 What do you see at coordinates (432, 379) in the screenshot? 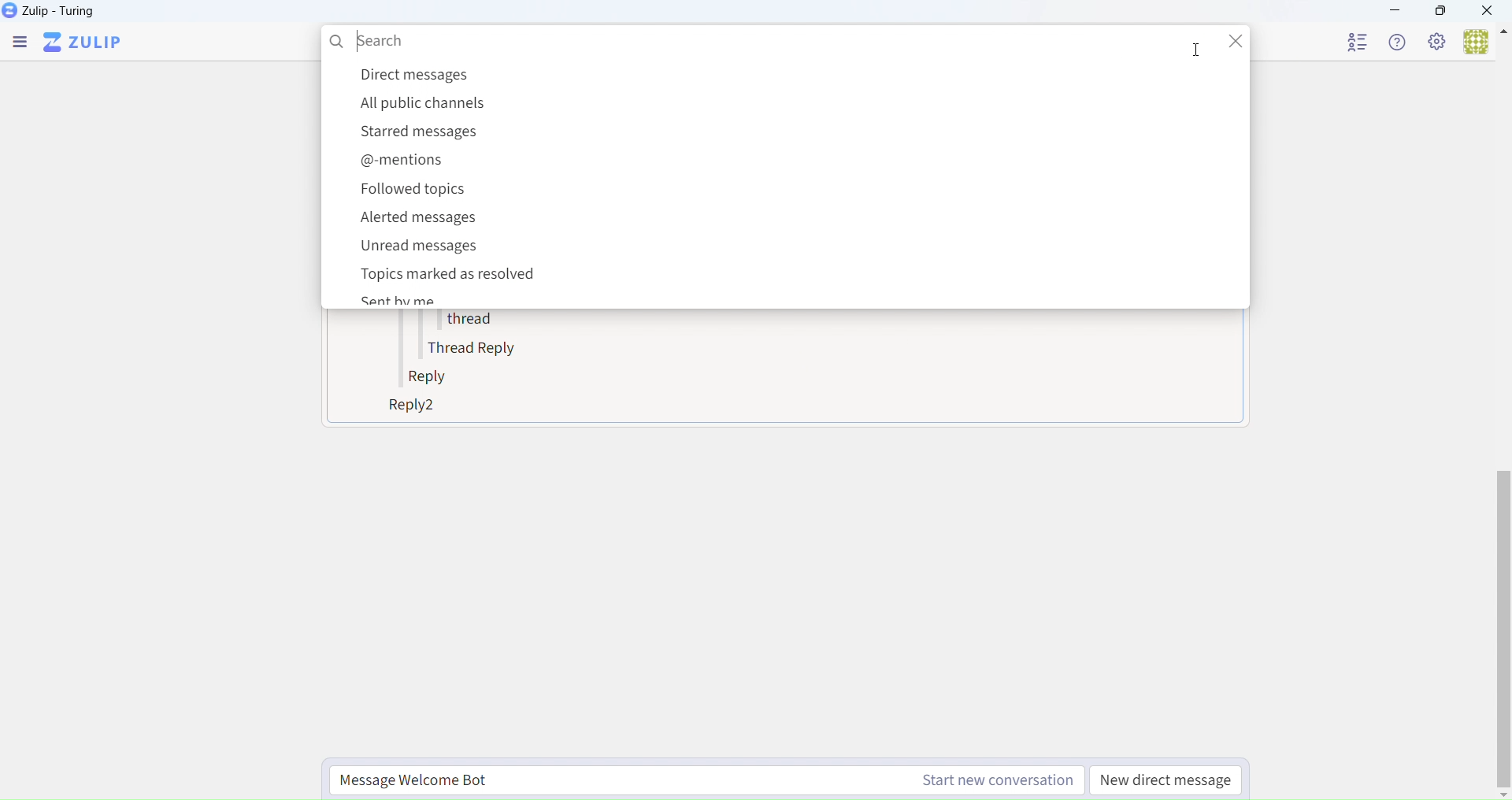
I see `Reply` at bounding box center [432, 379].